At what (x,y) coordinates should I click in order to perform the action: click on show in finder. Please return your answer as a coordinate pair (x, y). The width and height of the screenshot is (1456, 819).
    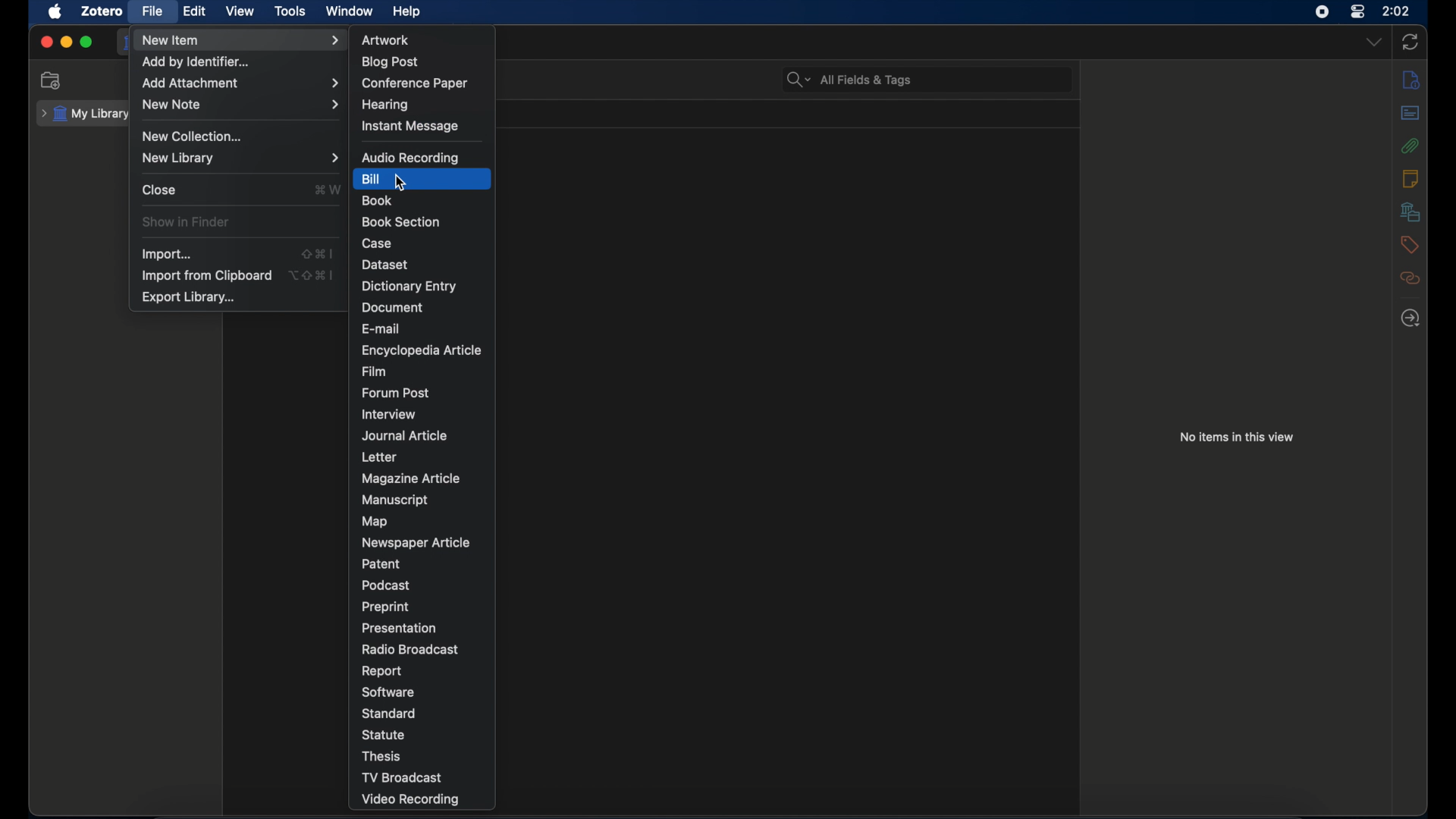
    Looking at the image, I should click on (187, 222).